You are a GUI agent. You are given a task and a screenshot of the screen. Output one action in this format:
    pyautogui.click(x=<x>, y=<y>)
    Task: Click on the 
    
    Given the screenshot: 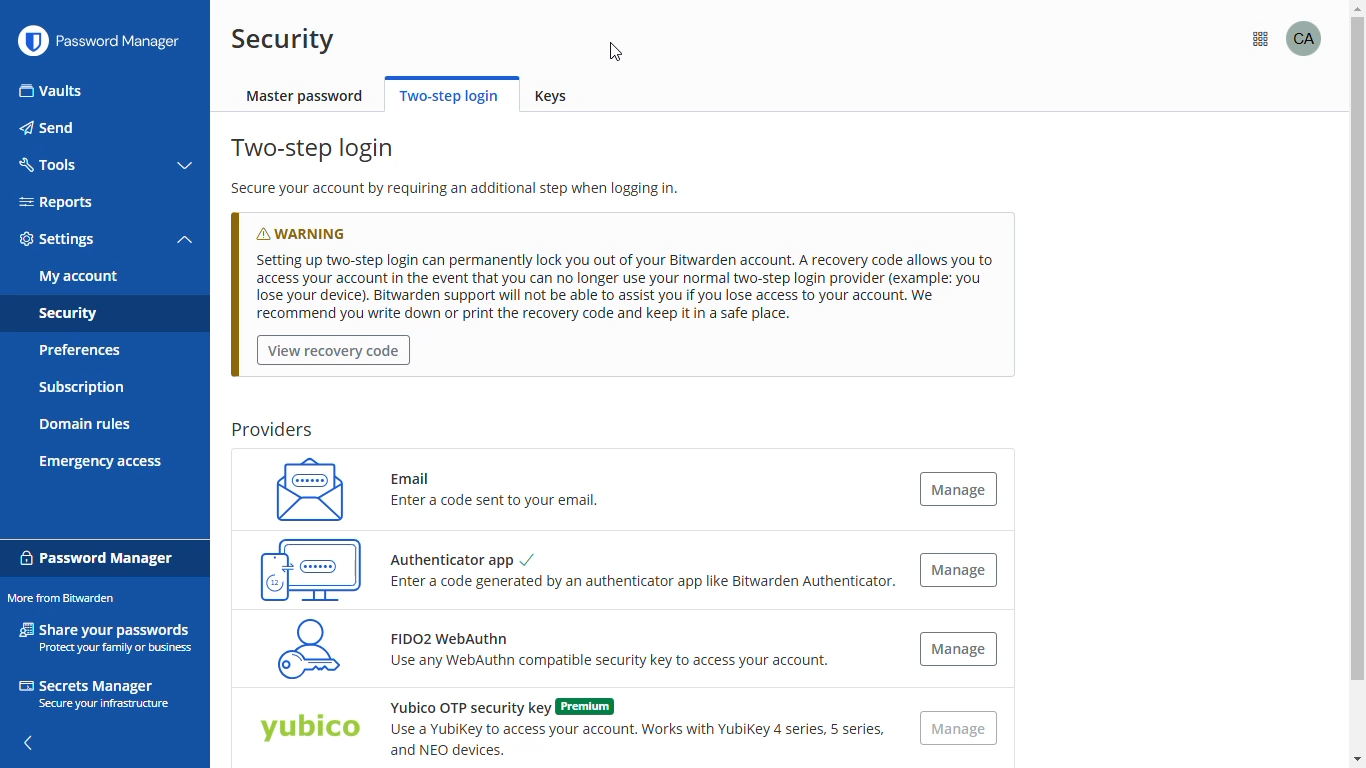 What is the action you would take?
    pyautogui.click(x=958, y=570)
    